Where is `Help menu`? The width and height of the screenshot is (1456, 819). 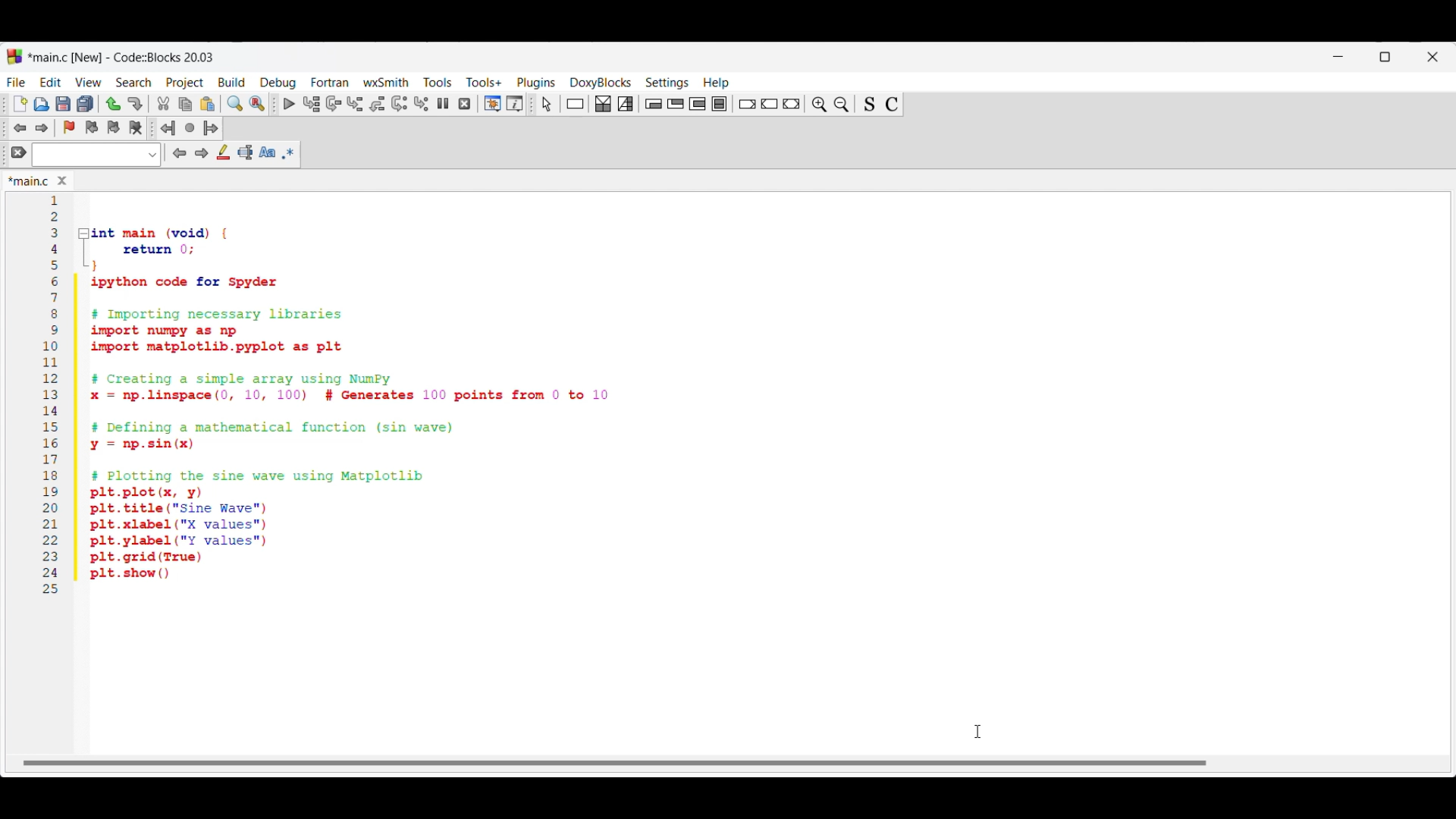
Help menu is located at coordinates (717, 83).